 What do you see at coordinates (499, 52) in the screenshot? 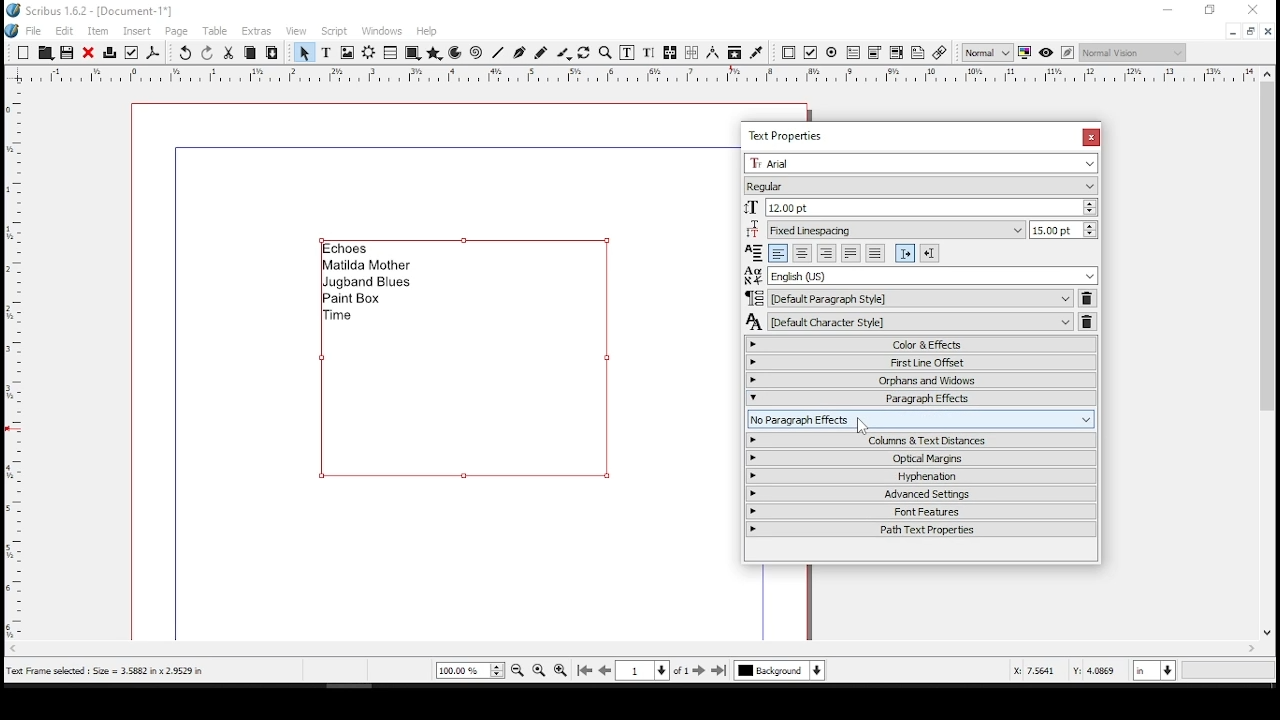
I see `line` at bounding box center [499, 52].